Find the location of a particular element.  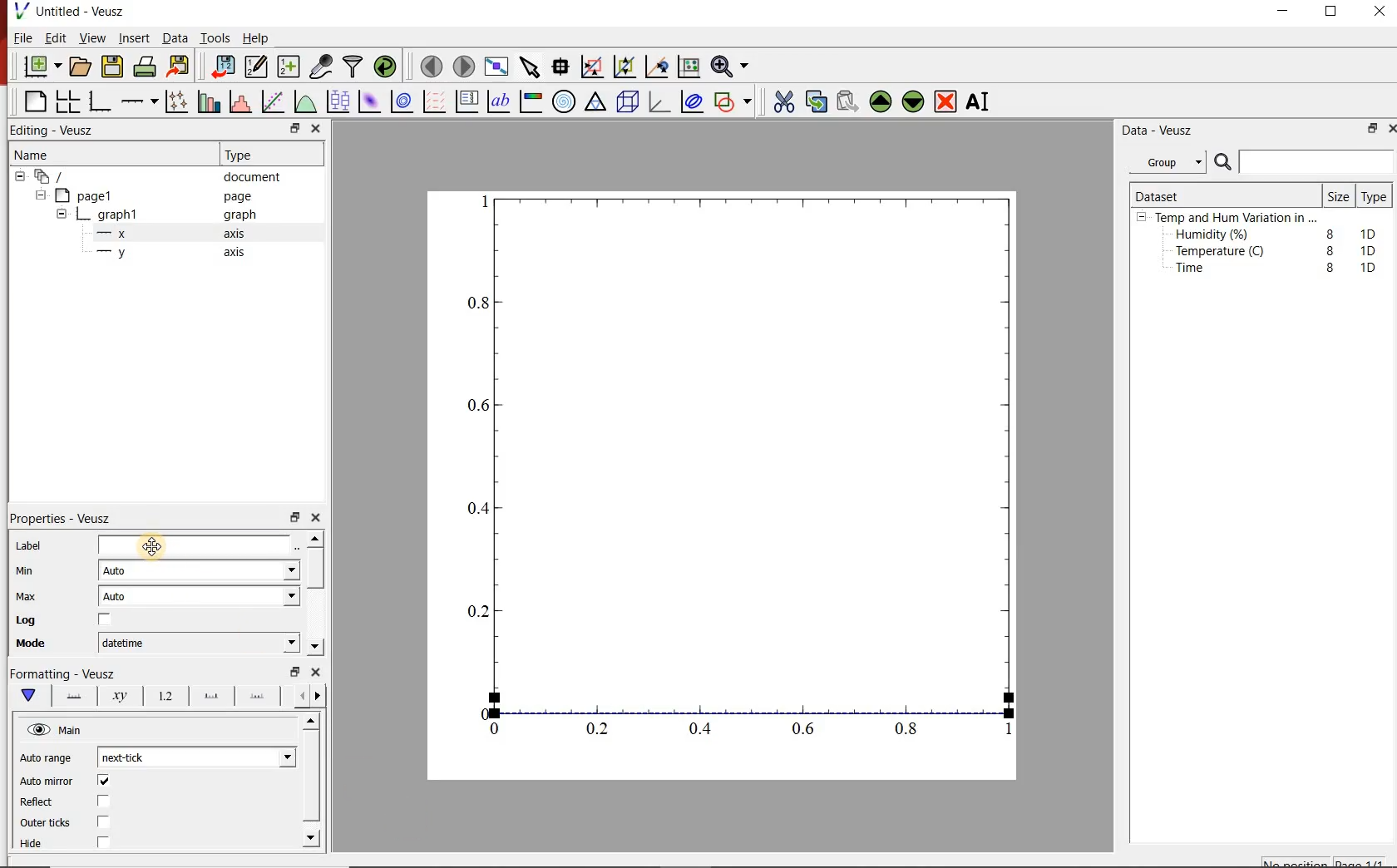

Data is located at coordinates (171, 38).